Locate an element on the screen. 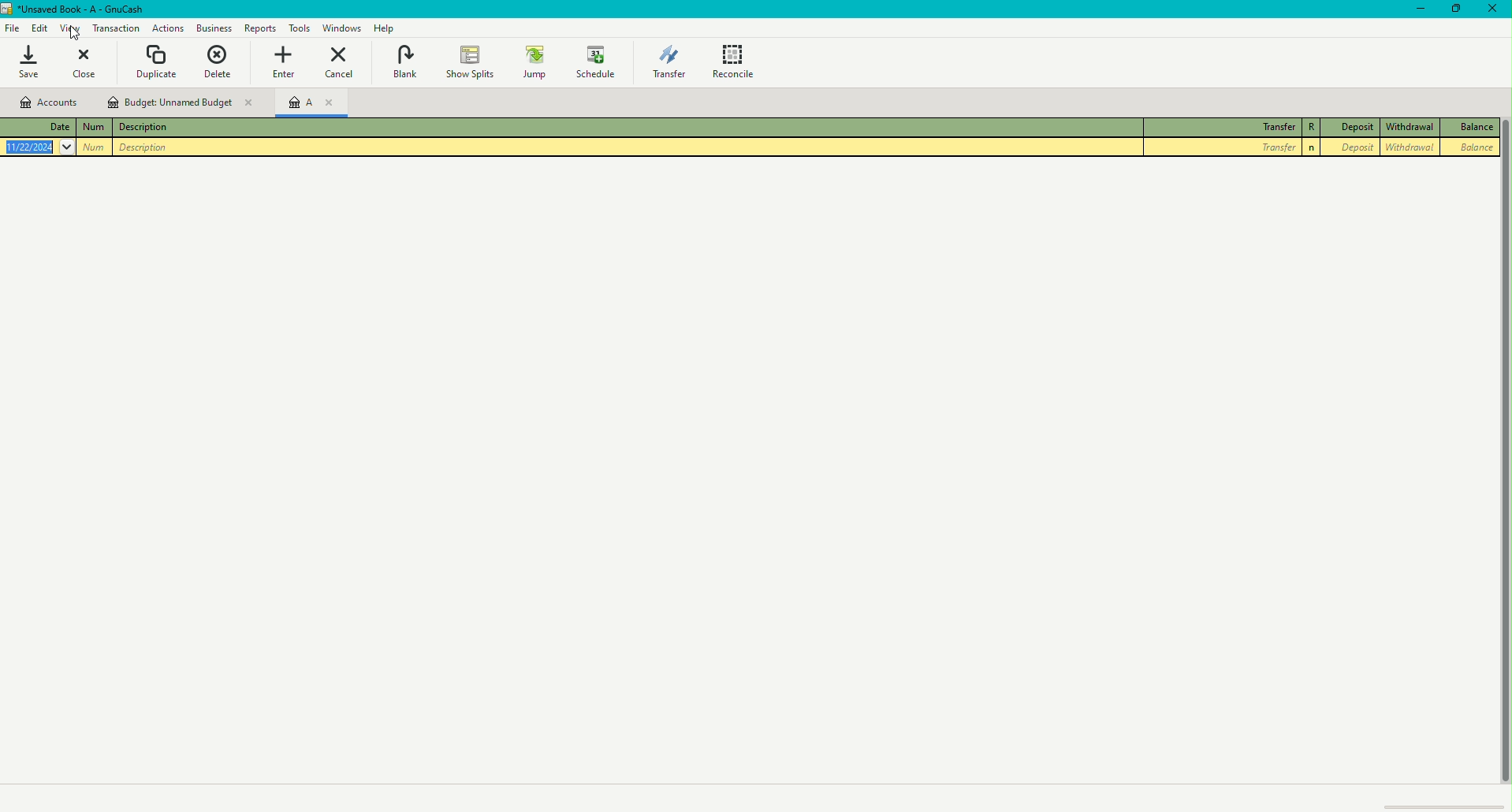 The image size is (1512, 812). Jump is located at coordinates (532, 61).